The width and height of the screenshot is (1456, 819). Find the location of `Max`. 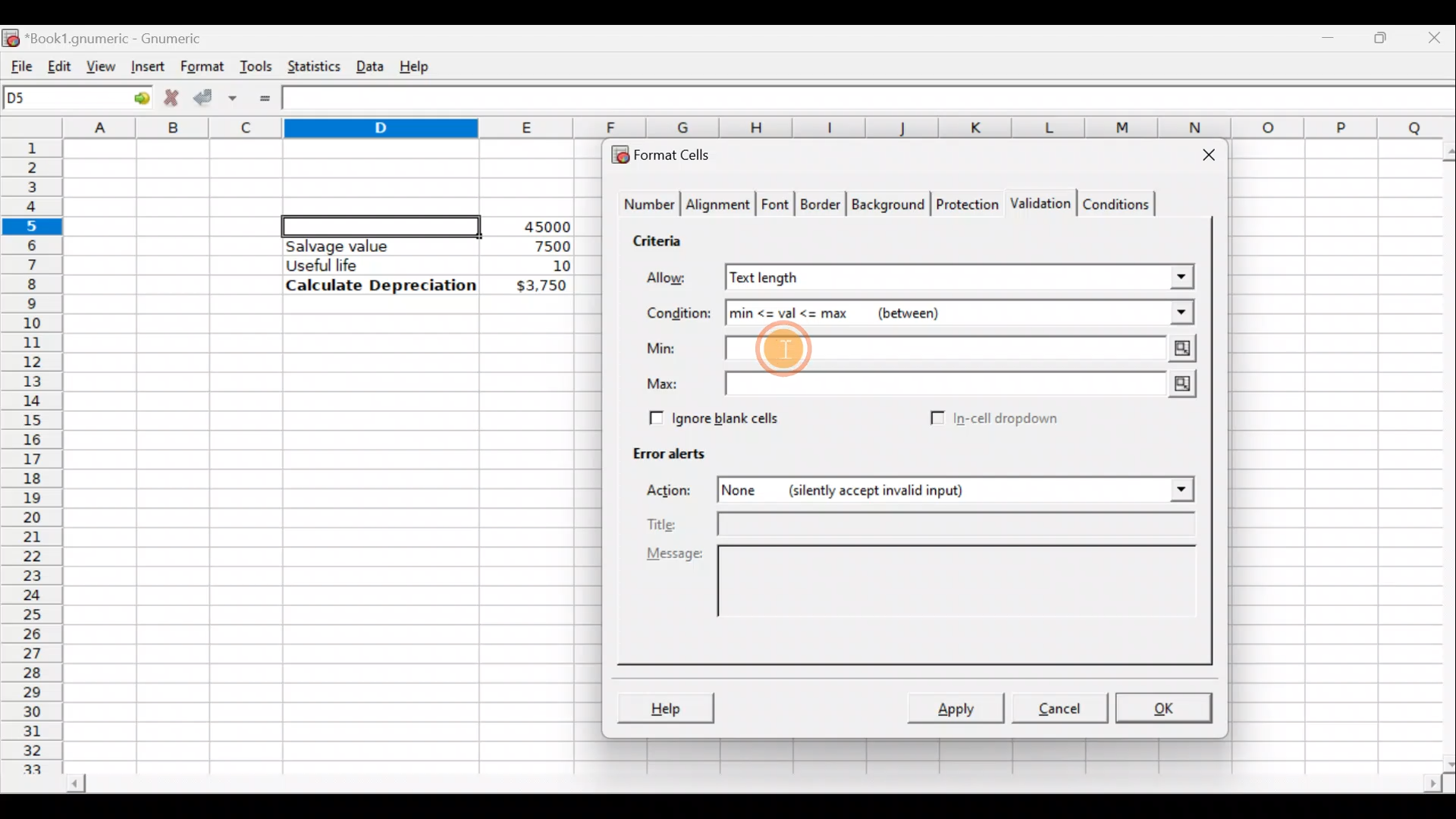

Max is located at coordinates (668, 384).